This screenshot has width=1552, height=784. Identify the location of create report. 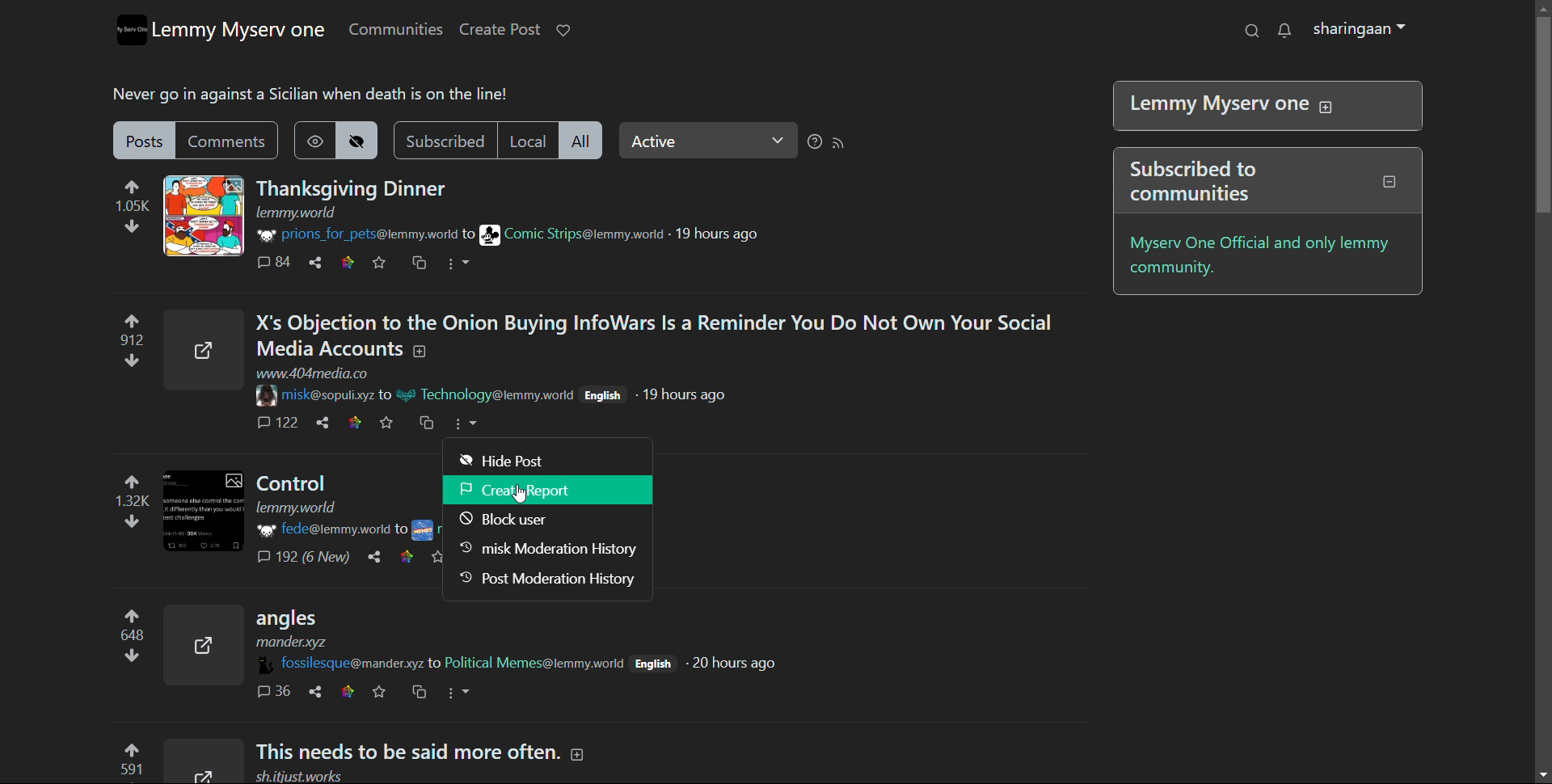
(547, 491).